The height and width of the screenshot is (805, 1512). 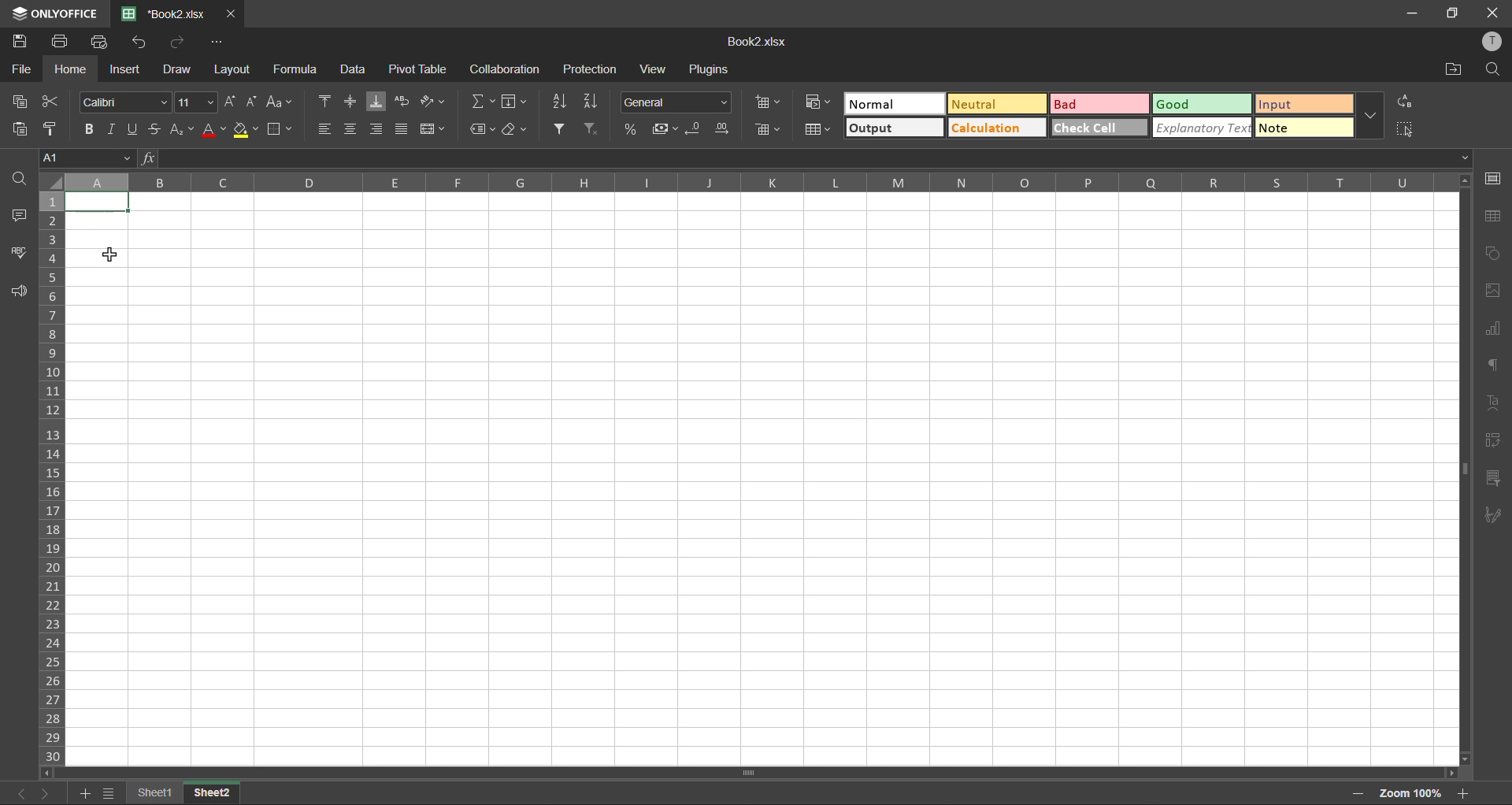 I want to click on bold, so click(x=91, y=128).